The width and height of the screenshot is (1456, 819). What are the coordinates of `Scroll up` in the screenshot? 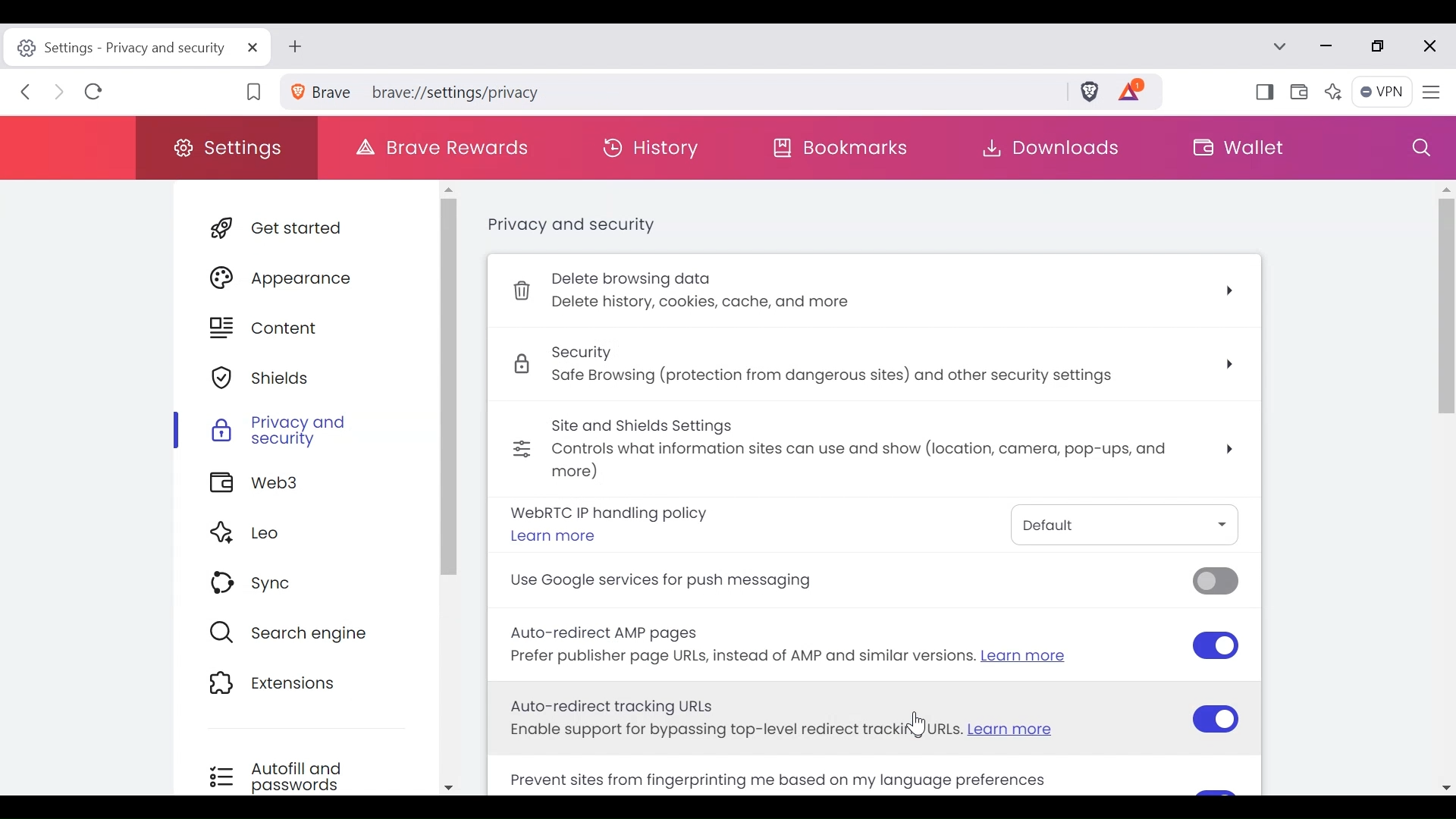 It's located at (1445, 188).